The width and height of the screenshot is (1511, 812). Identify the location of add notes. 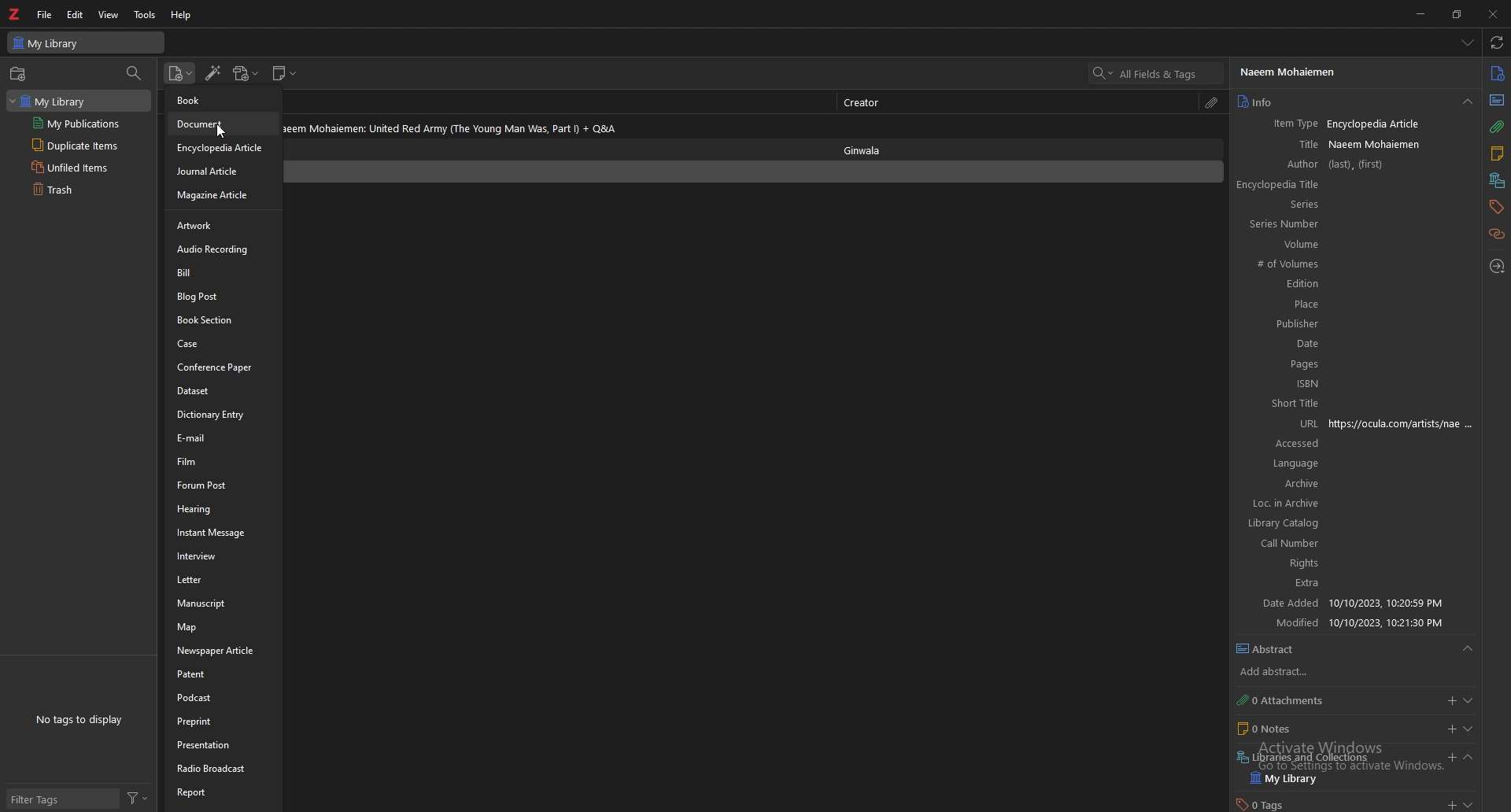
(1450, 729).